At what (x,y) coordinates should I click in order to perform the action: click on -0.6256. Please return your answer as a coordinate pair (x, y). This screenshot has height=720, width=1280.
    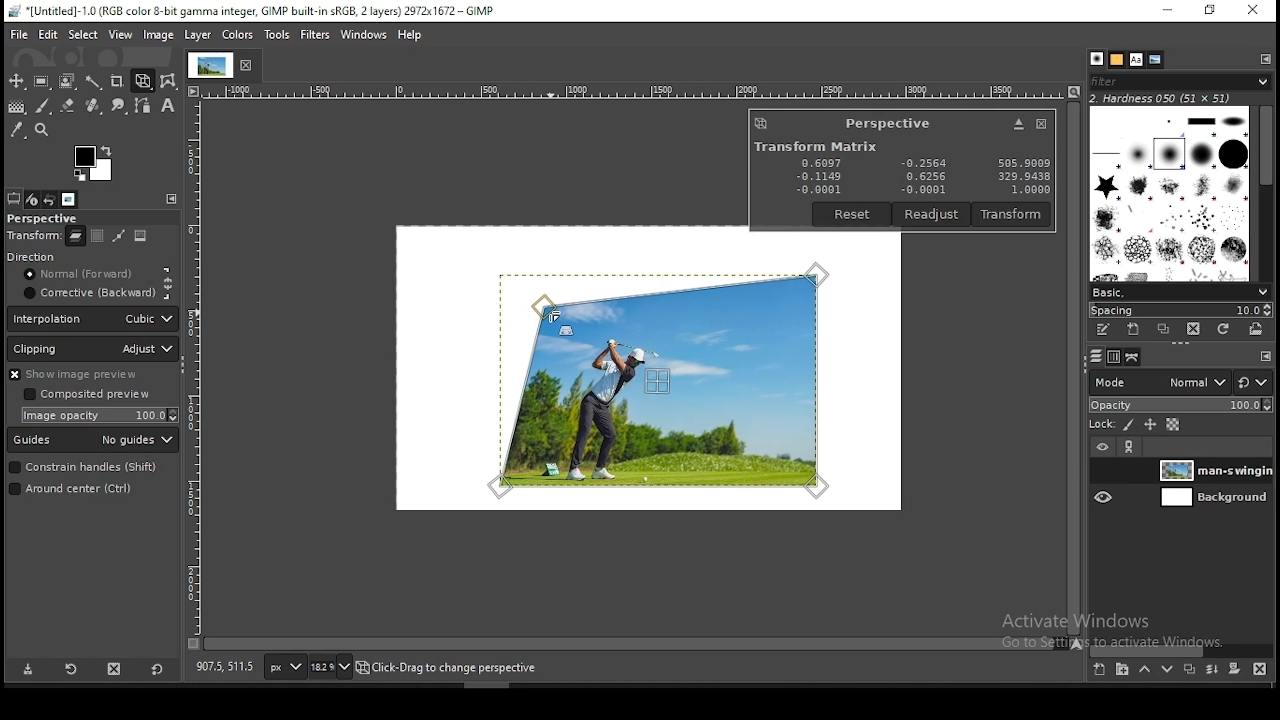
    Looking at the image, I should click on (922, 177).